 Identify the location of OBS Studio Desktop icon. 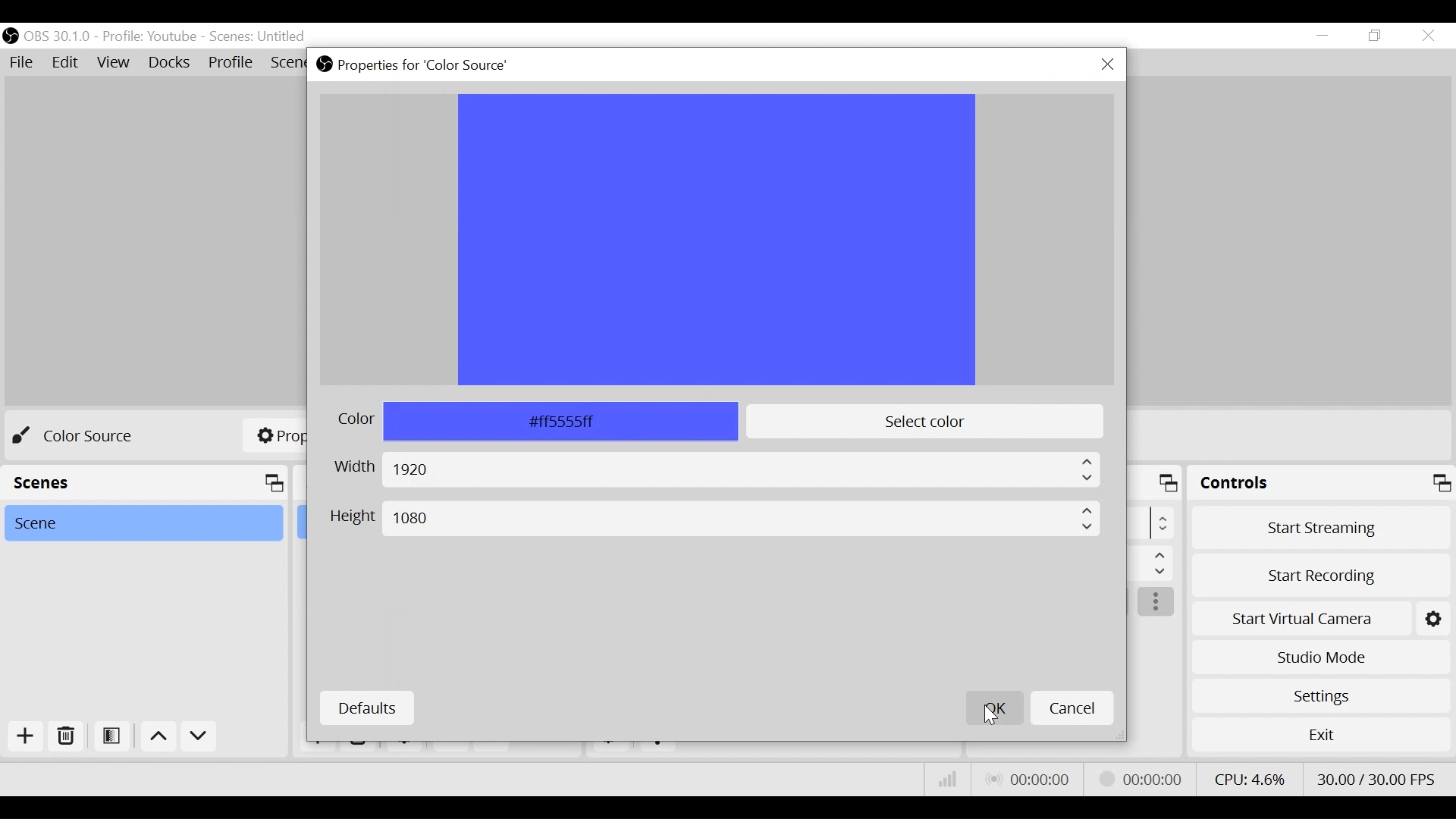
(325, 64).